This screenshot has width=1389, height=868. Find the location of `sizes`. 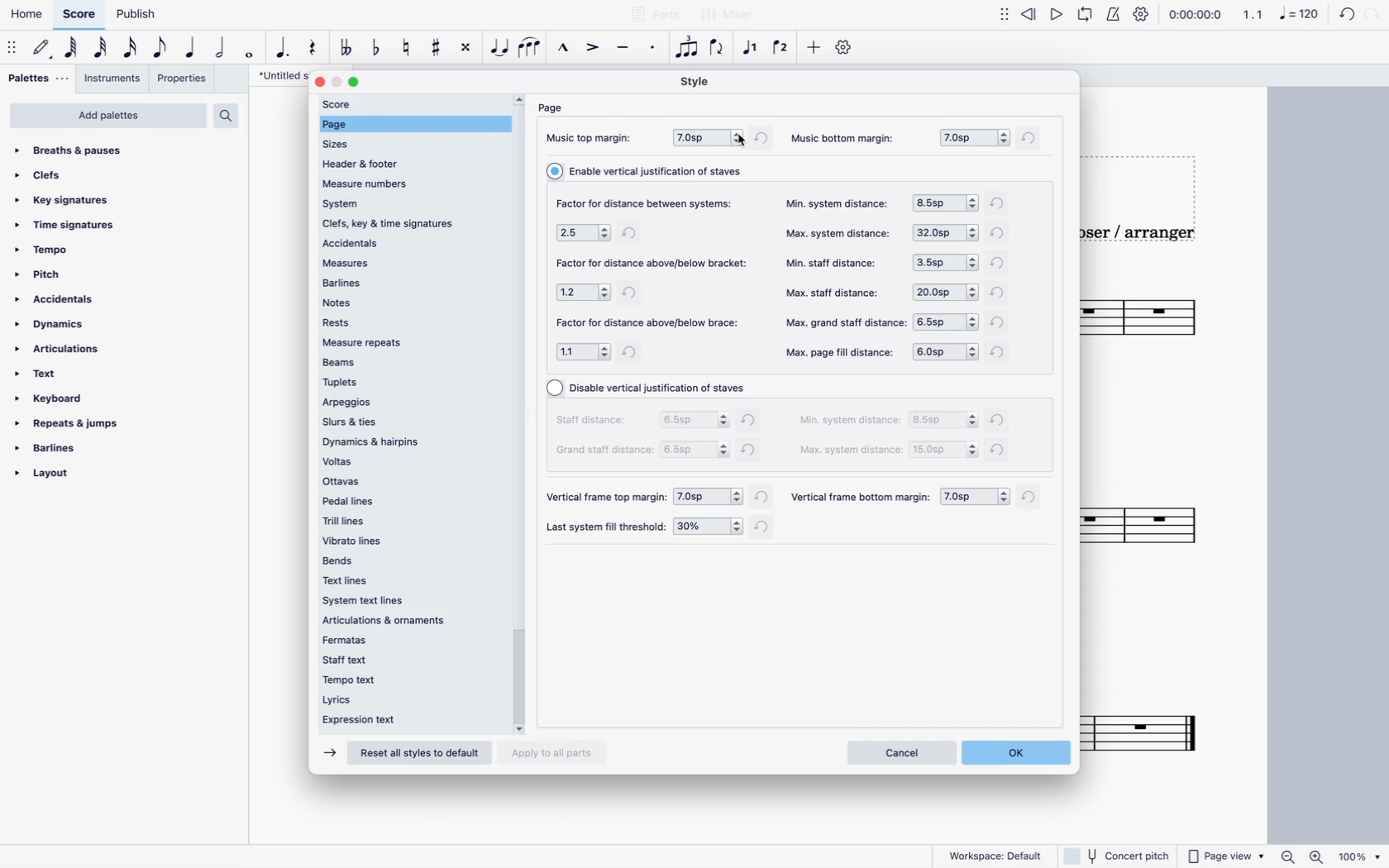

sizes is located at coordinates (346, 144).